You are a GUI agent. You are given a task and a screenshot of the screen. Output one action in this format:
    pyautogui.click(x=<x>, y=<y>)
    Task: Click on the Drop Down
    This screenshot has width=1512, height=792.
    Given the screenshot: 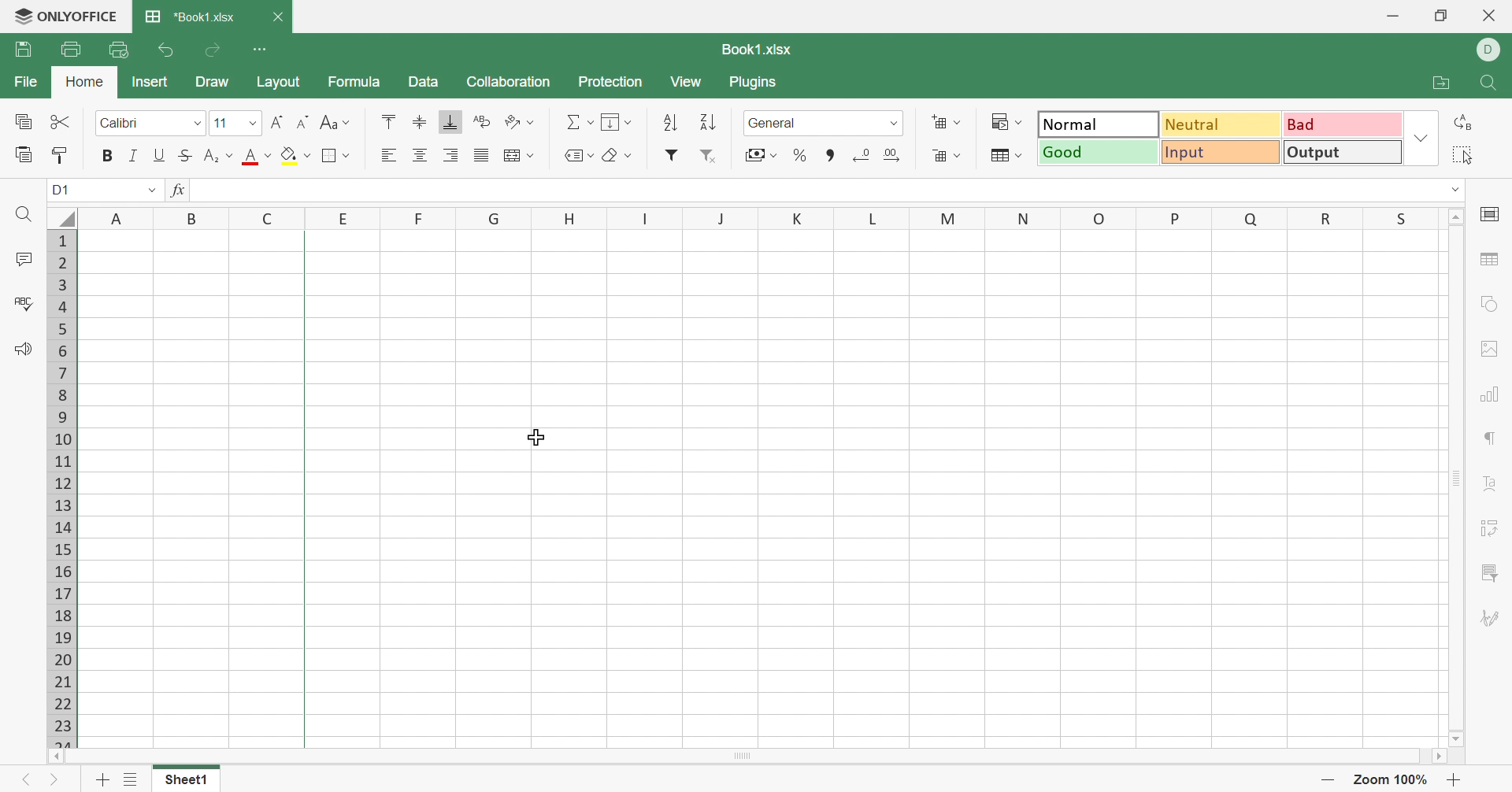 What is the action you would take?
    pyautogui.click(x=628, y=155)
    